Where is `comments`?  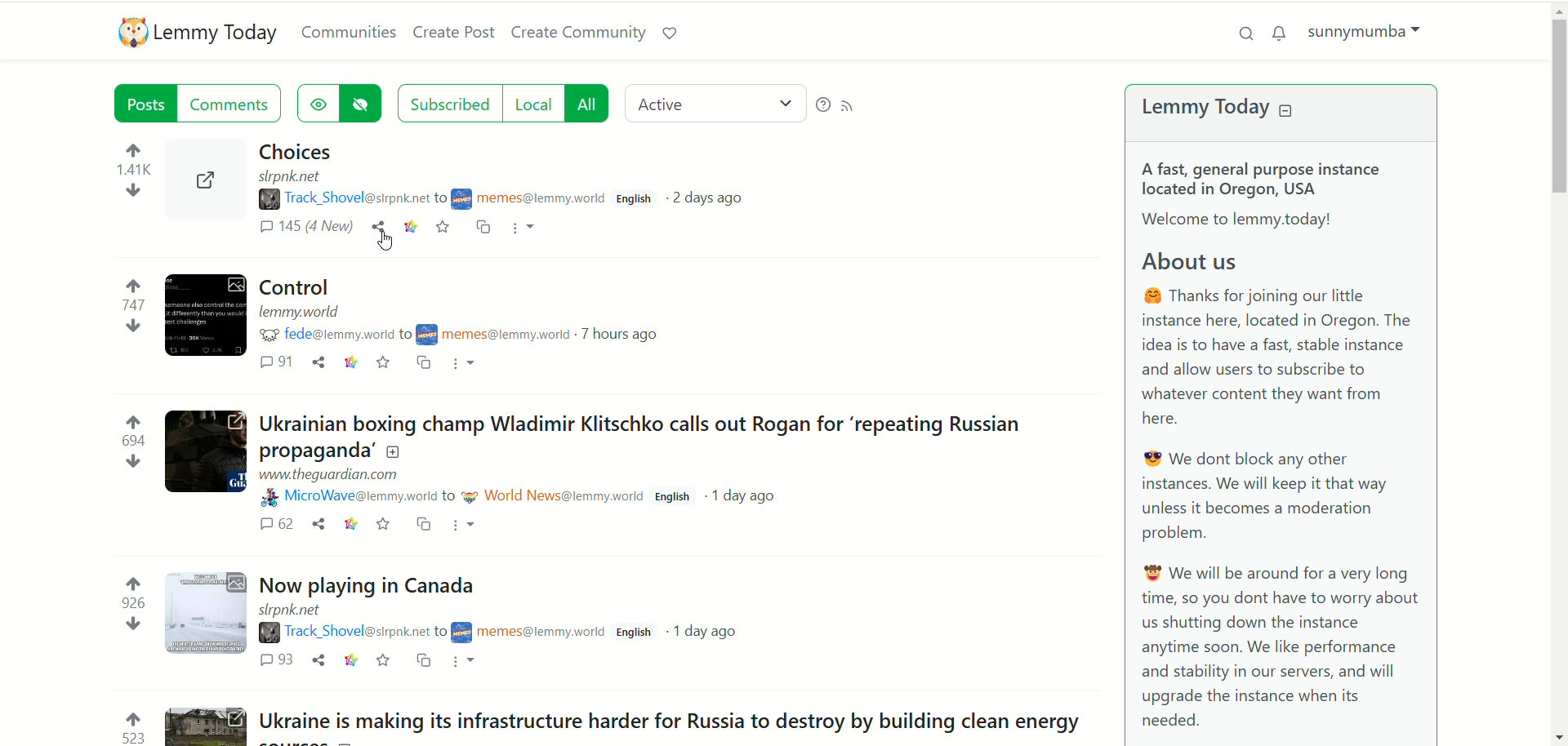 comments is located at coordinates (279, 661).